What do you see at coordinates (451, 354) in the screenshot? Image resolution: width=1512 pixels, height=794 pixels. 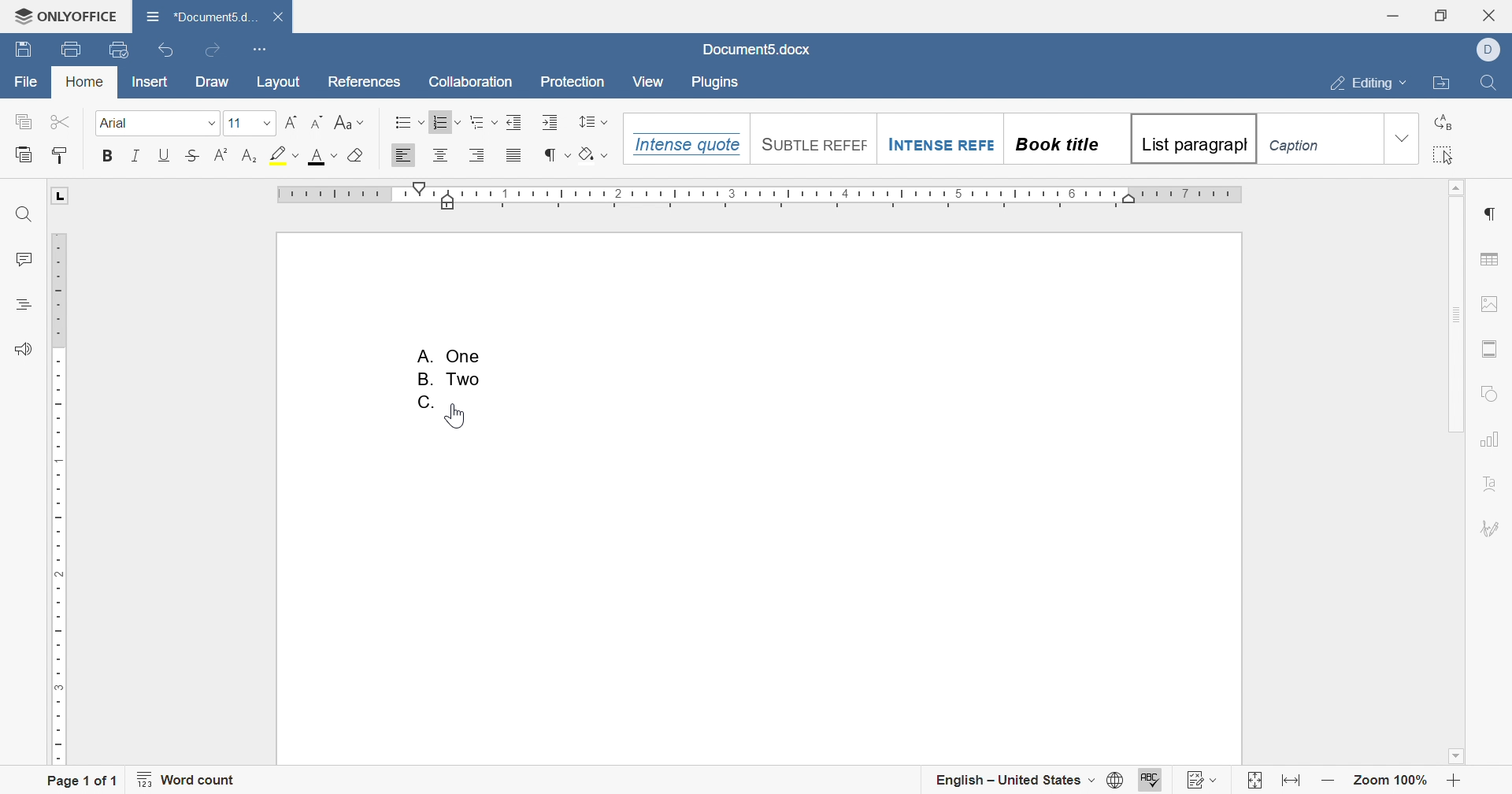 I see `A. One` at bounding box center [451, 354].